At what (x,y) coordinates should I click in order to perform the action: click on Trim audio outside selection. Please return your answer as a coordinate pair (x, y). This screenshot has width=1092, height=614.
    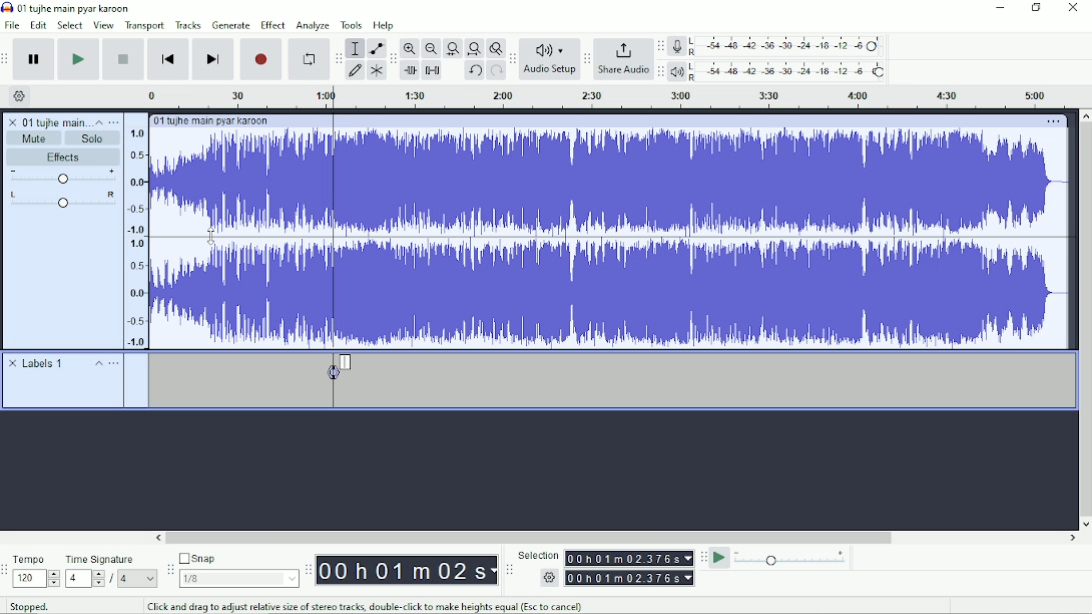
    Looking at the image, I should click on (410, 71).